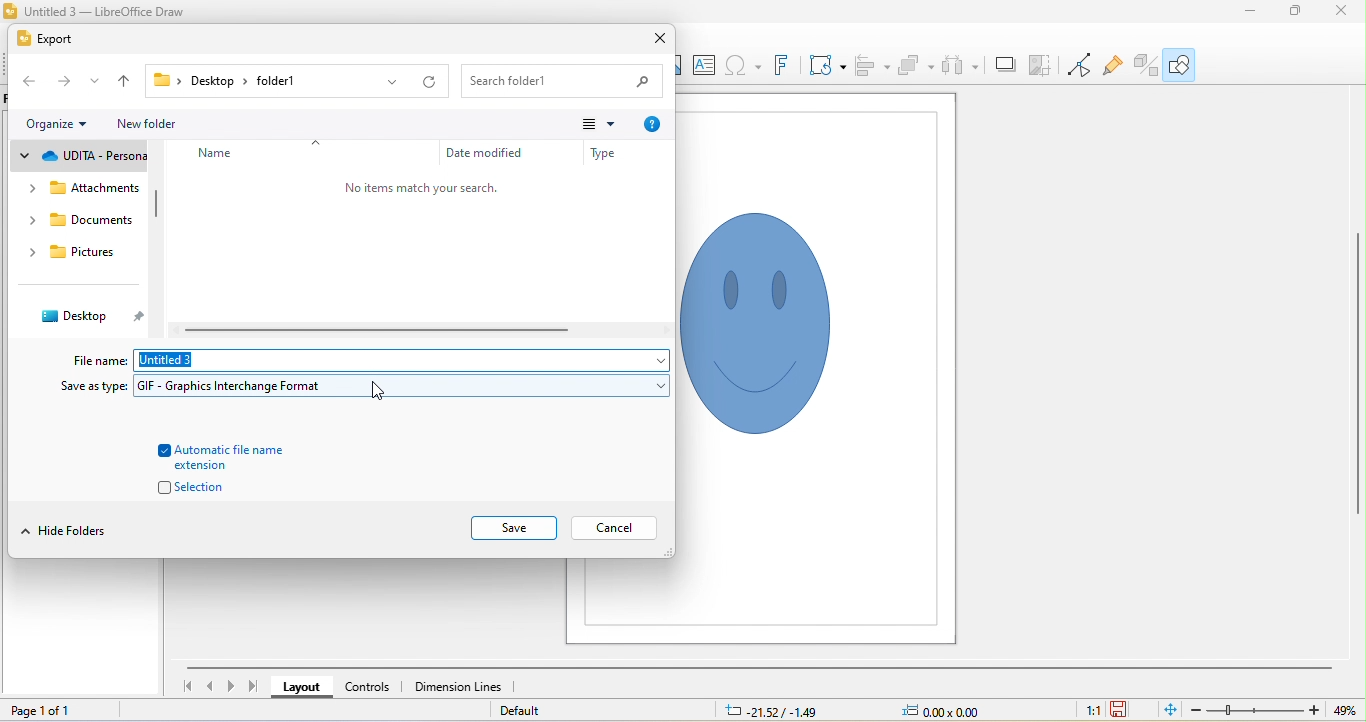 Image resolution: width=1366 pixels, height=722 pixels. Describe the element at coordinates (395, 84) in the screenshot. I see `drop down` at that location.